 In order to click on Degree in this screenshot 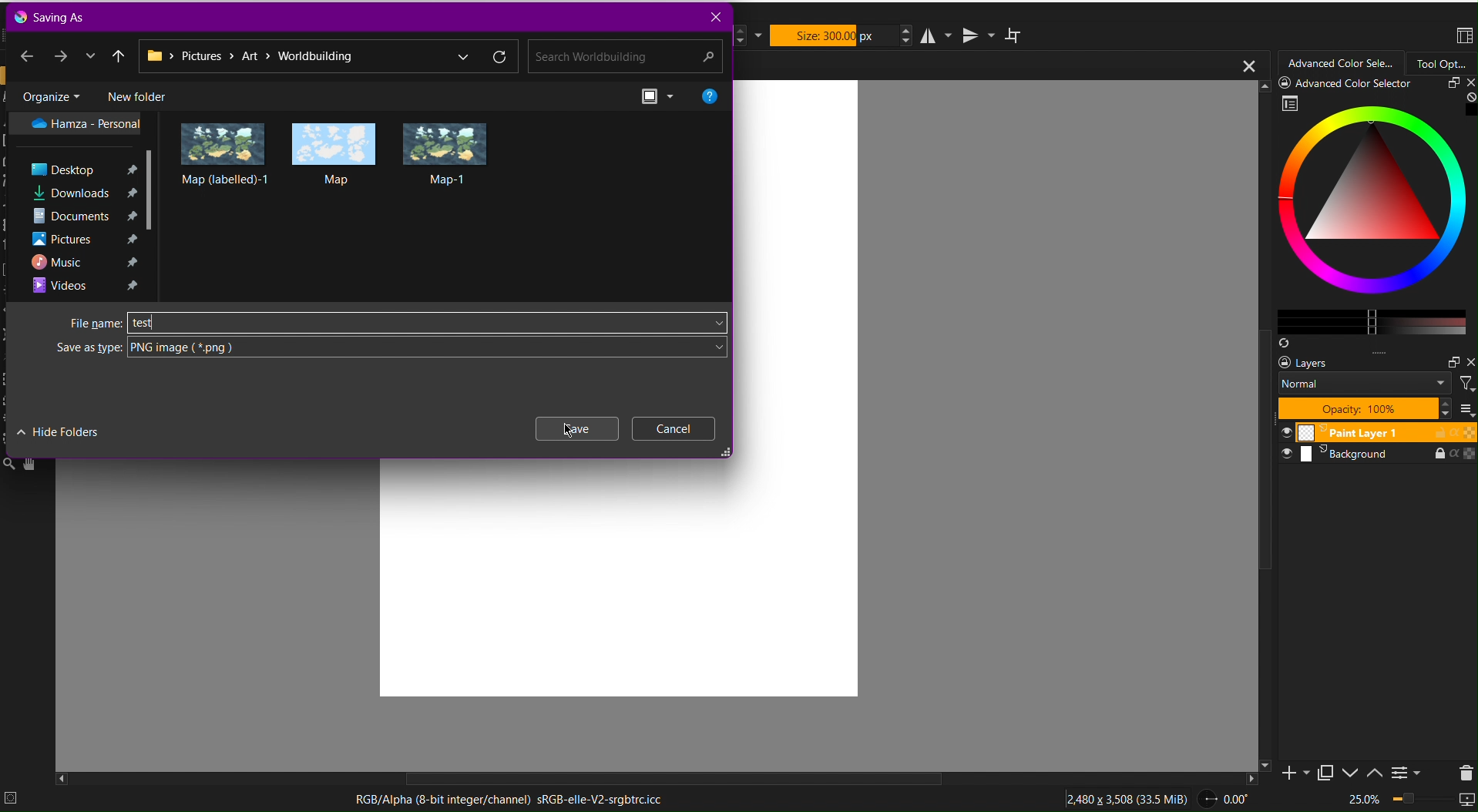, I will do `click(1229, 797)`.